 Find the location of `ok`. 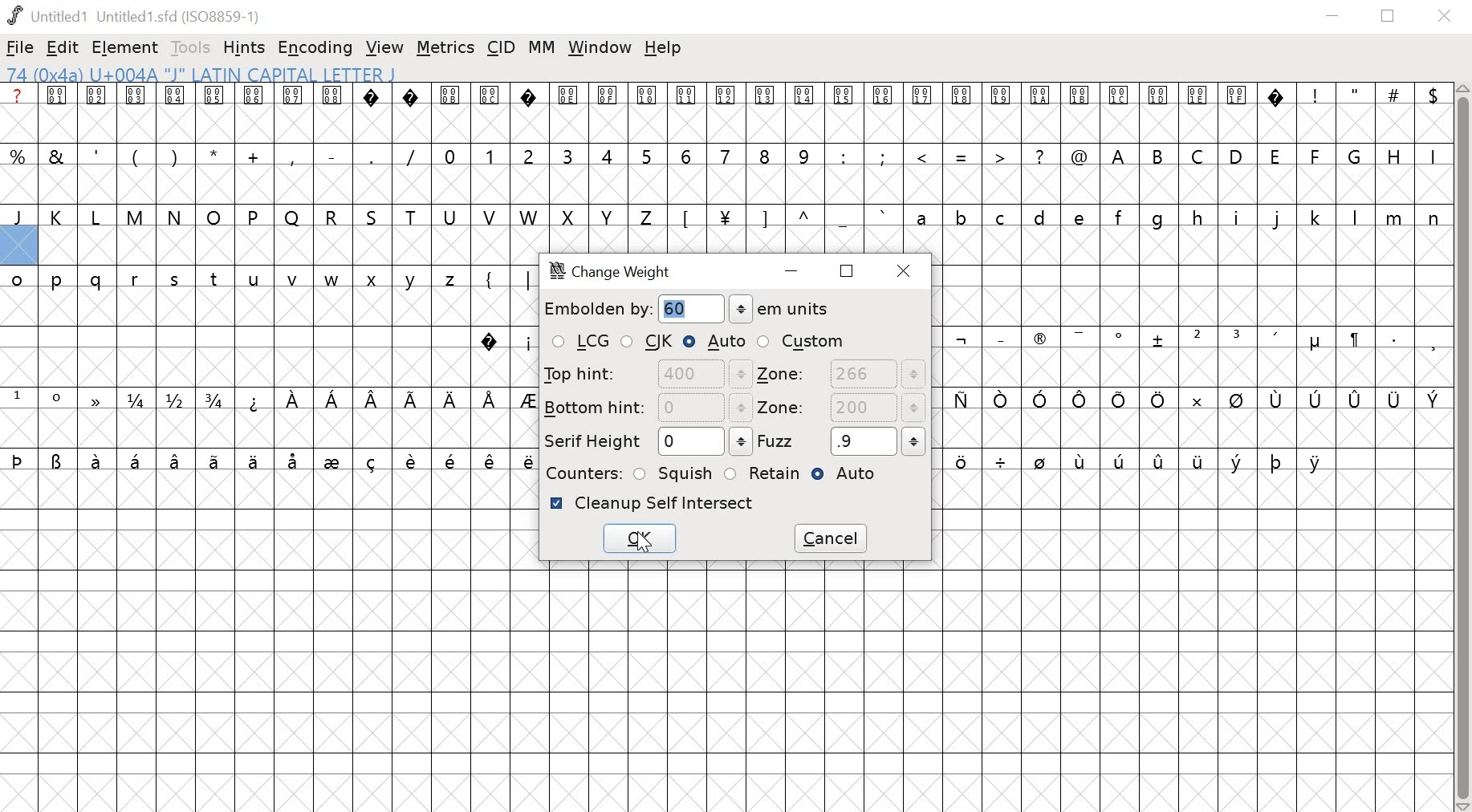

ok is located at coordinates (640, 539).